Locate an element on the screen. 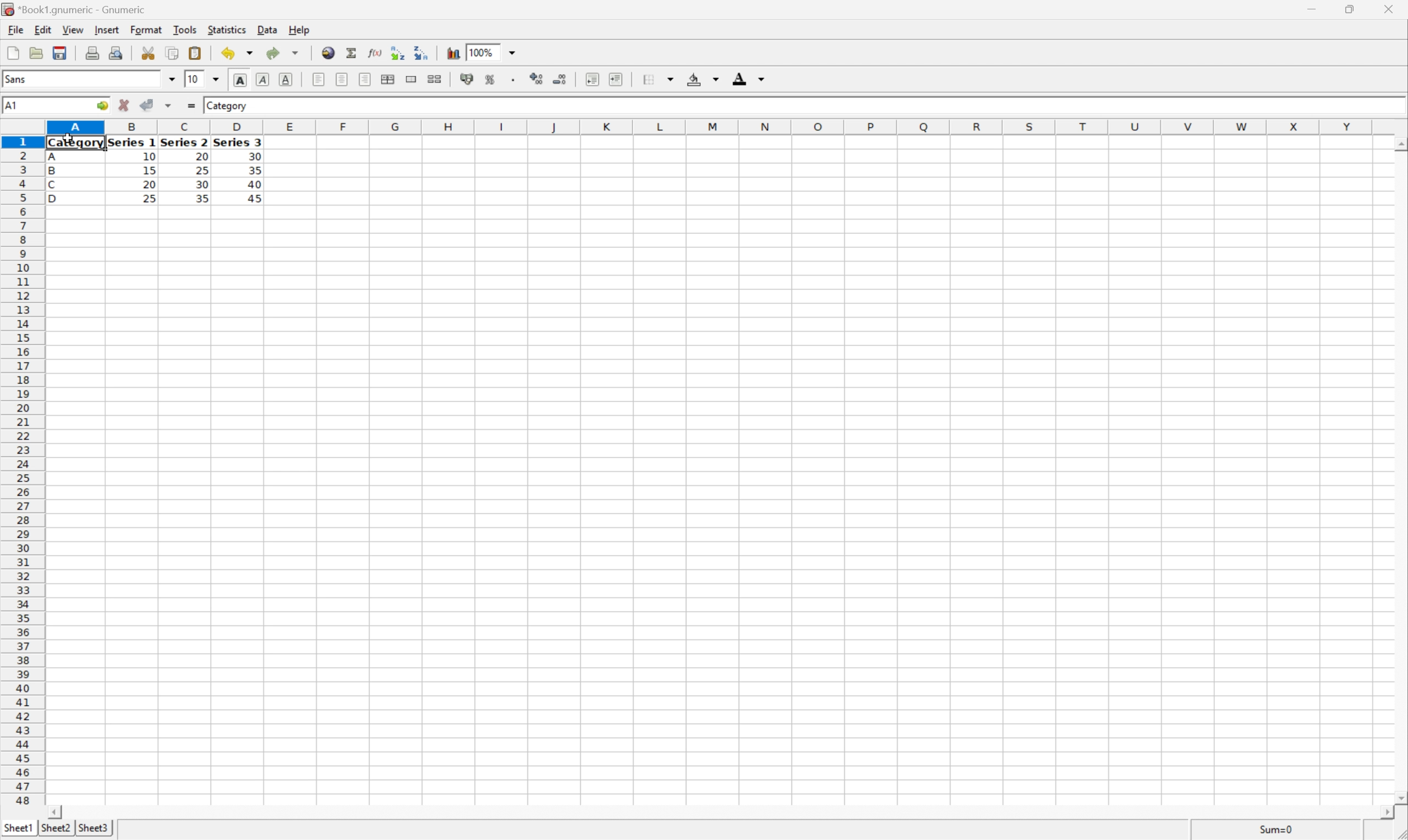 Image resolution: width=1408 pixels, height=840 pixels. 30 is located at coordinates (254, 156).